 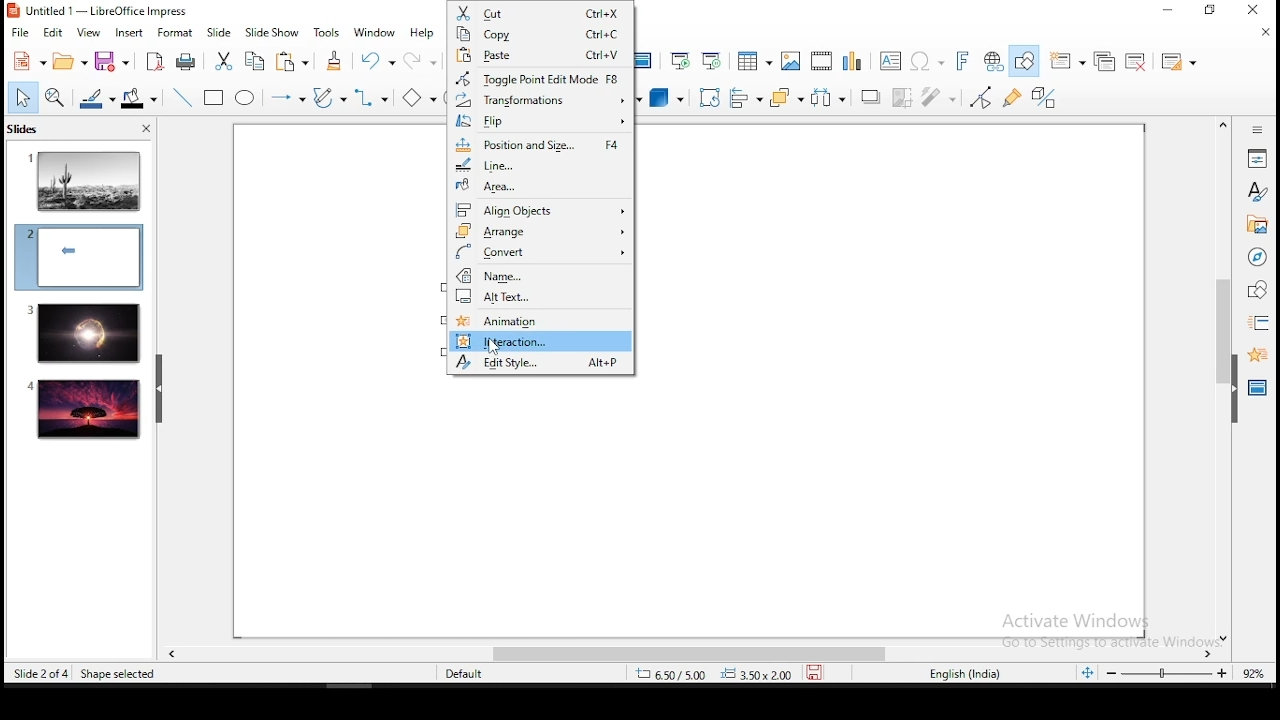 I want to click on distribute, so click(x=830, y=98).